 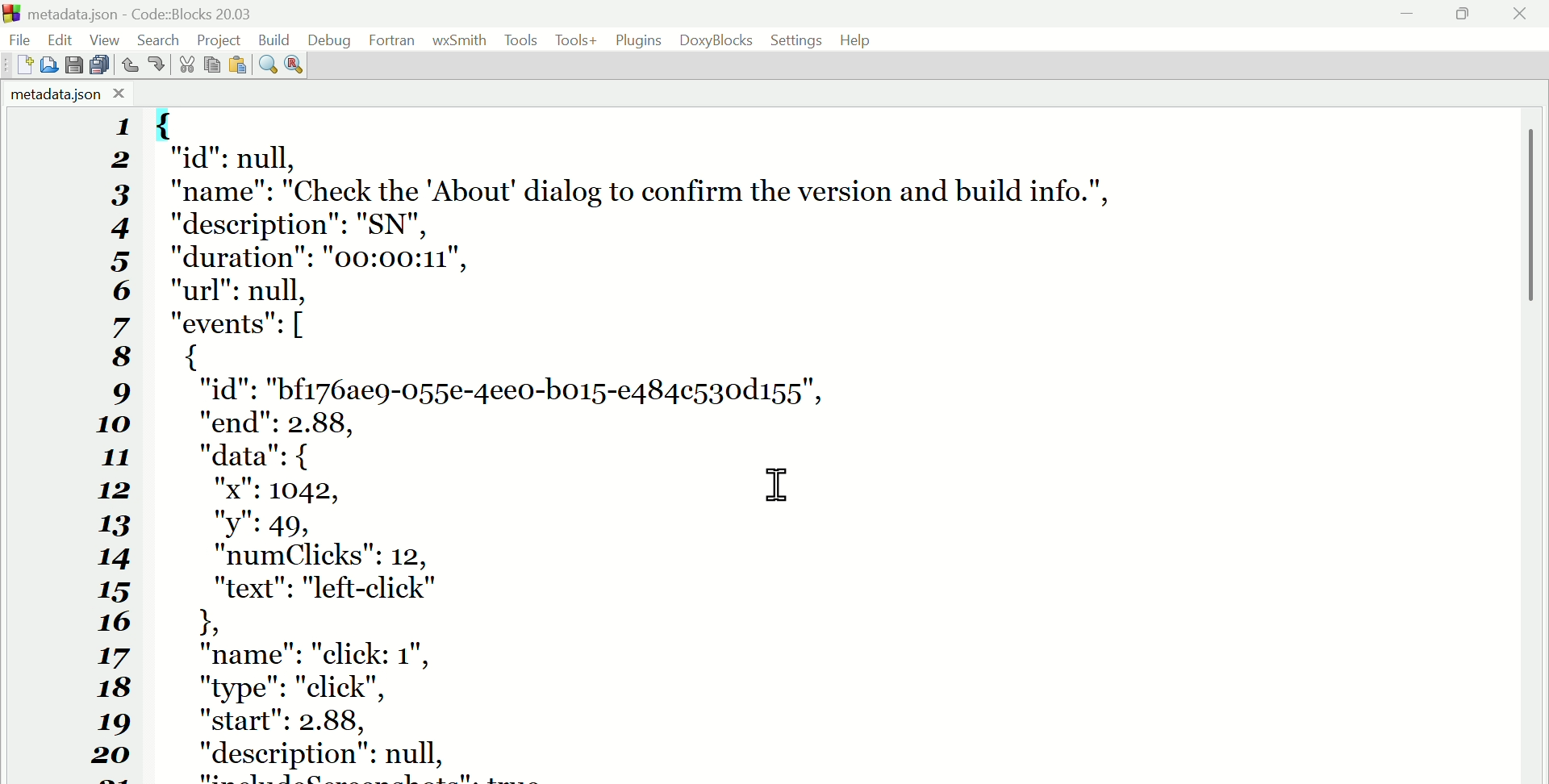 What do you see at coordinates (575, 42) in the screenshot?
I see `Tools` at bounding box center [575, 42].